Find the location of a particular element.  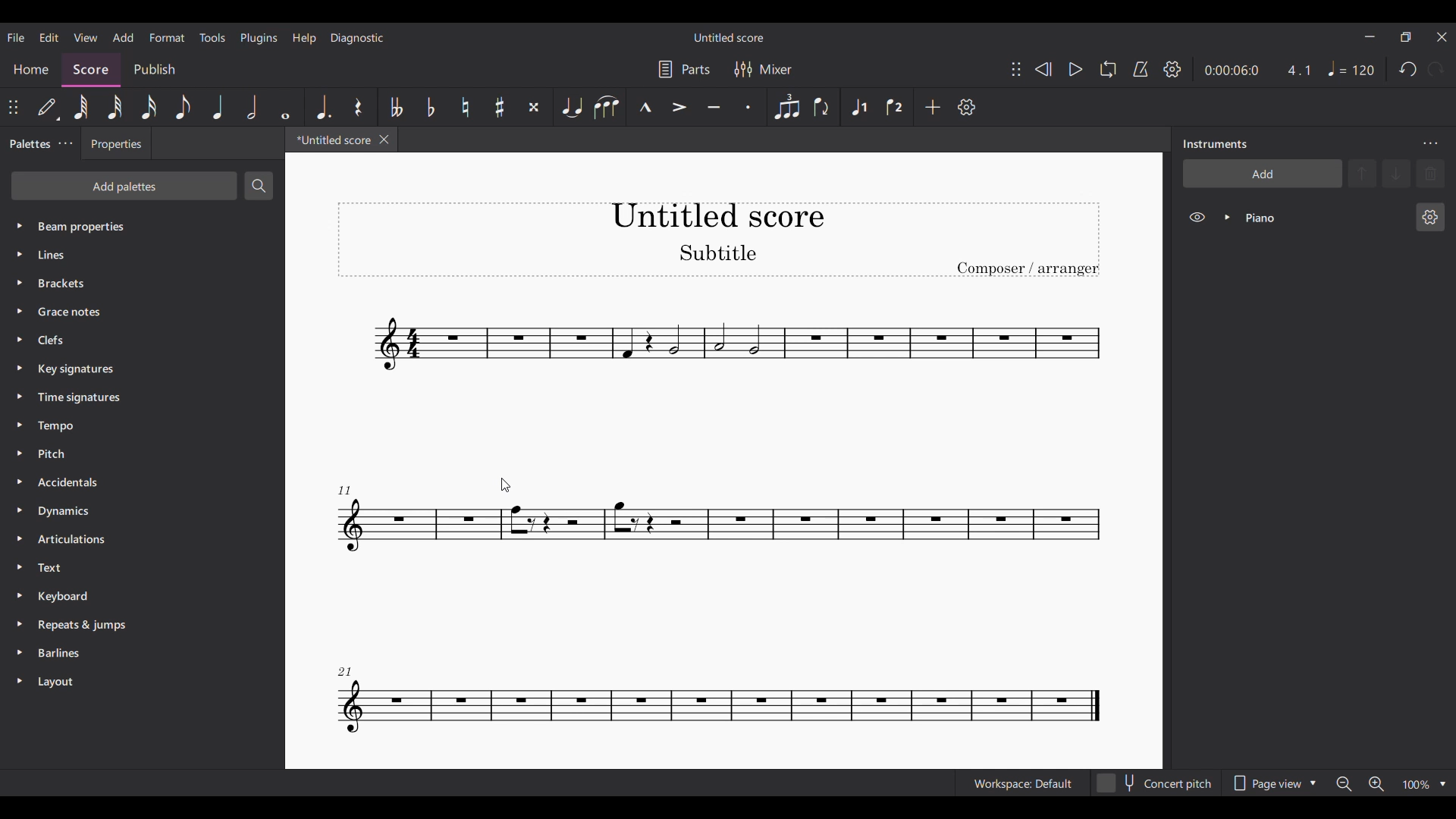

Show in smaller tab is located at coordinates (1405, 36).